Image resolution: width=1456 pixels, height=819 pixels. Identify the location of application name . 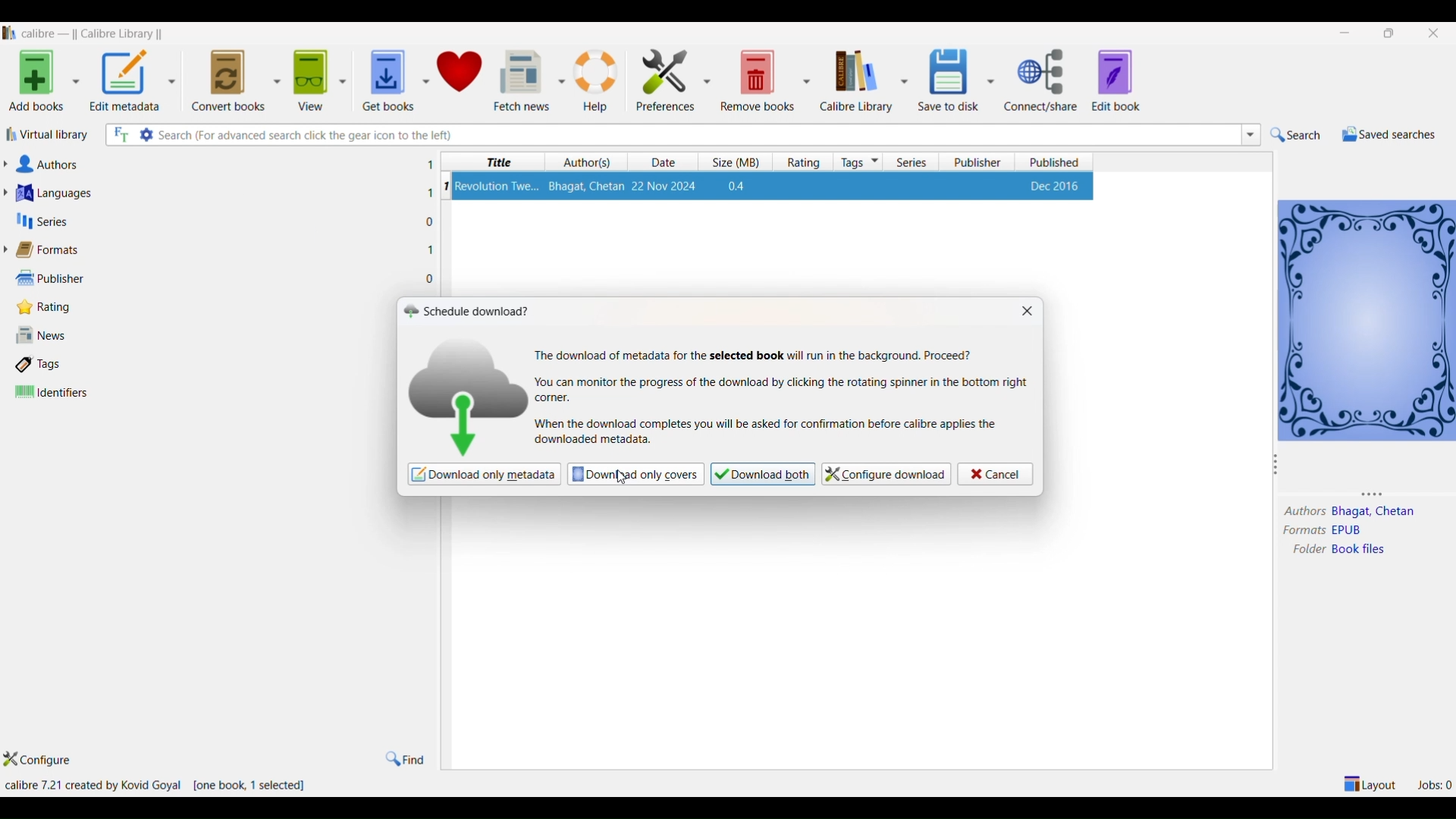
(95, 32).